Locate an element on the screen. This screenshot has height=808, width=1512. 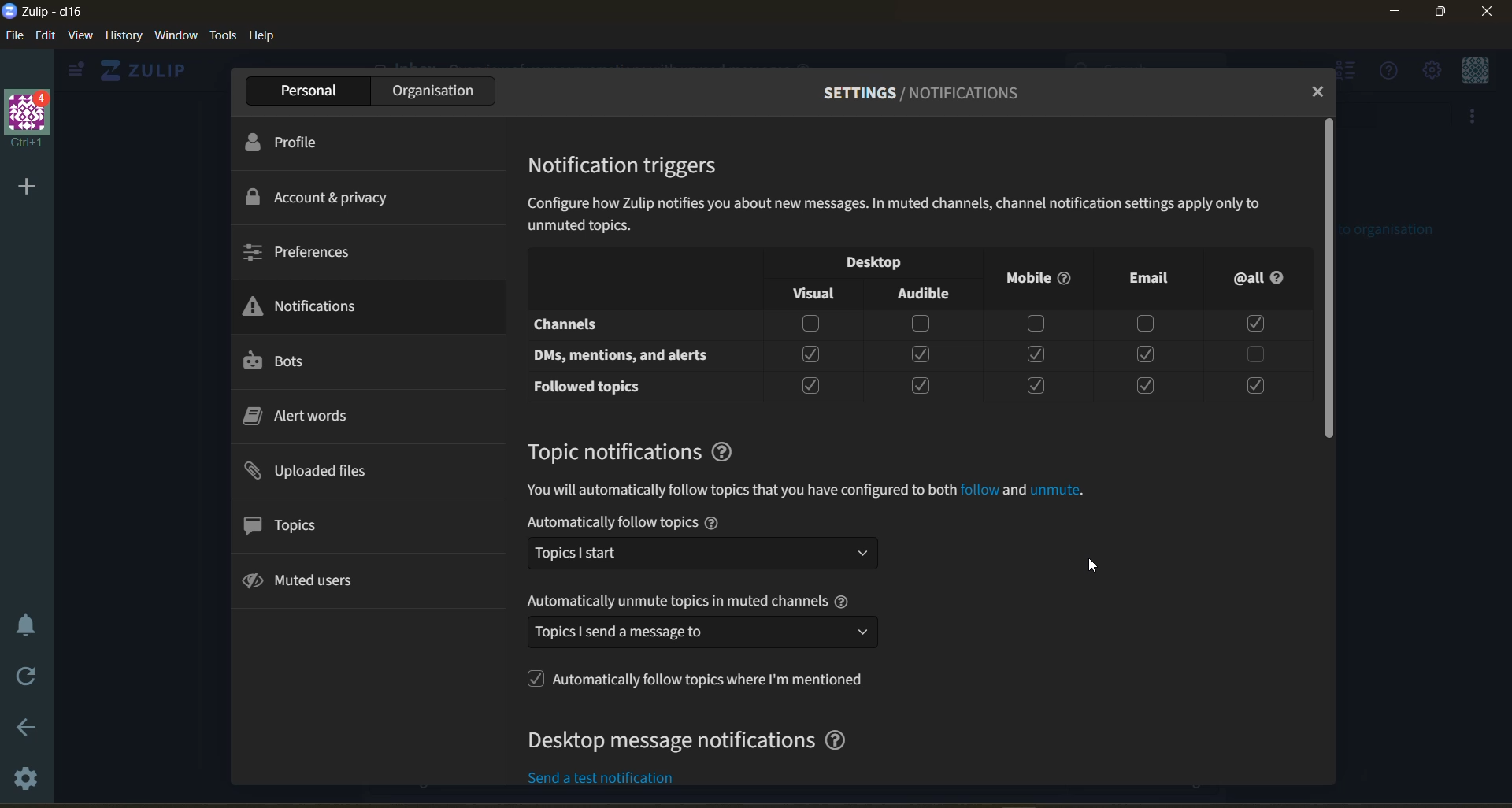
Checkbox is located at coordinates (1037, 356).